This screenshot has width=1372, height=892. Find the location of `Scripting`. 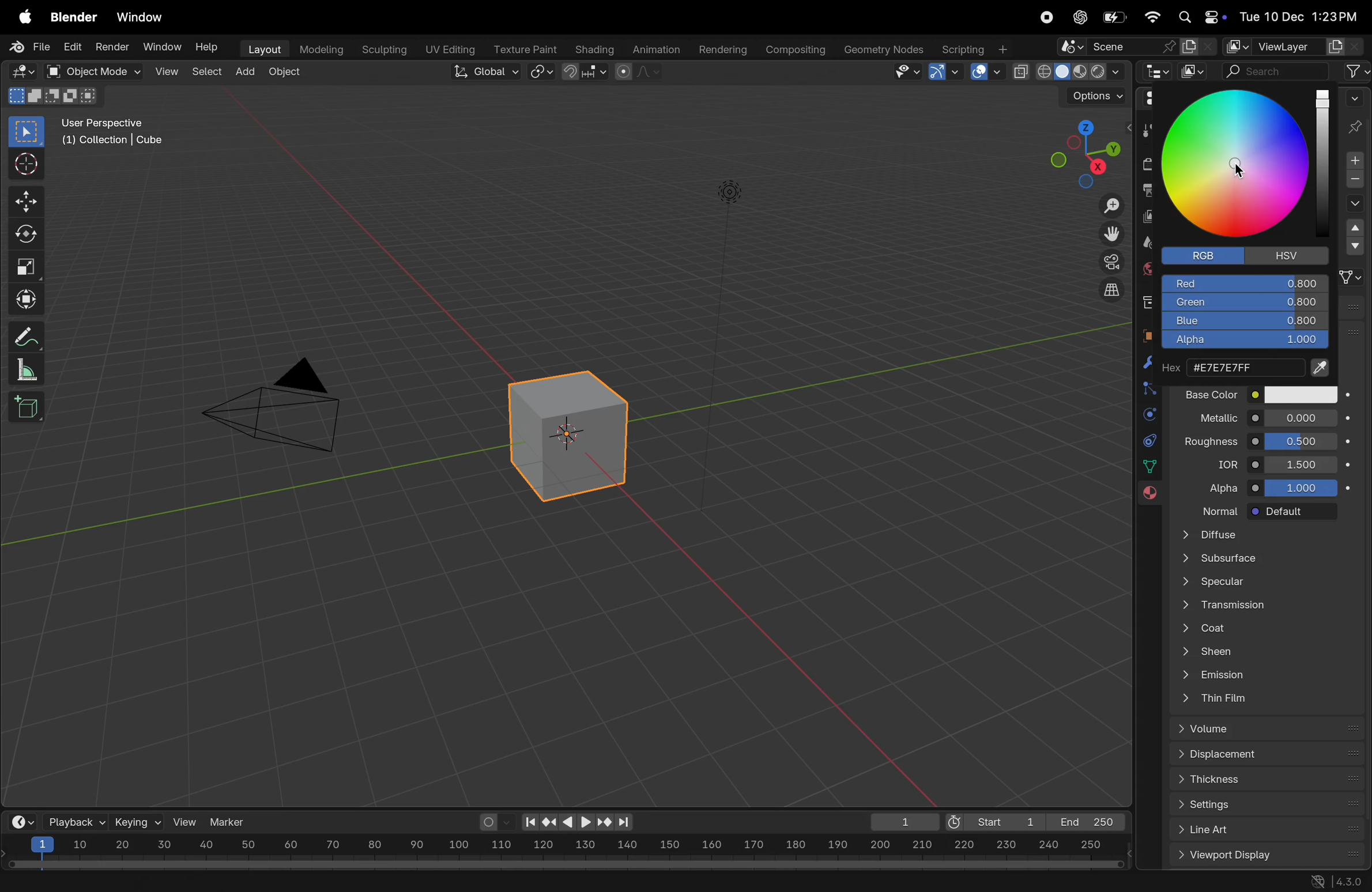

Scripting is located at coordinates (974, 46).